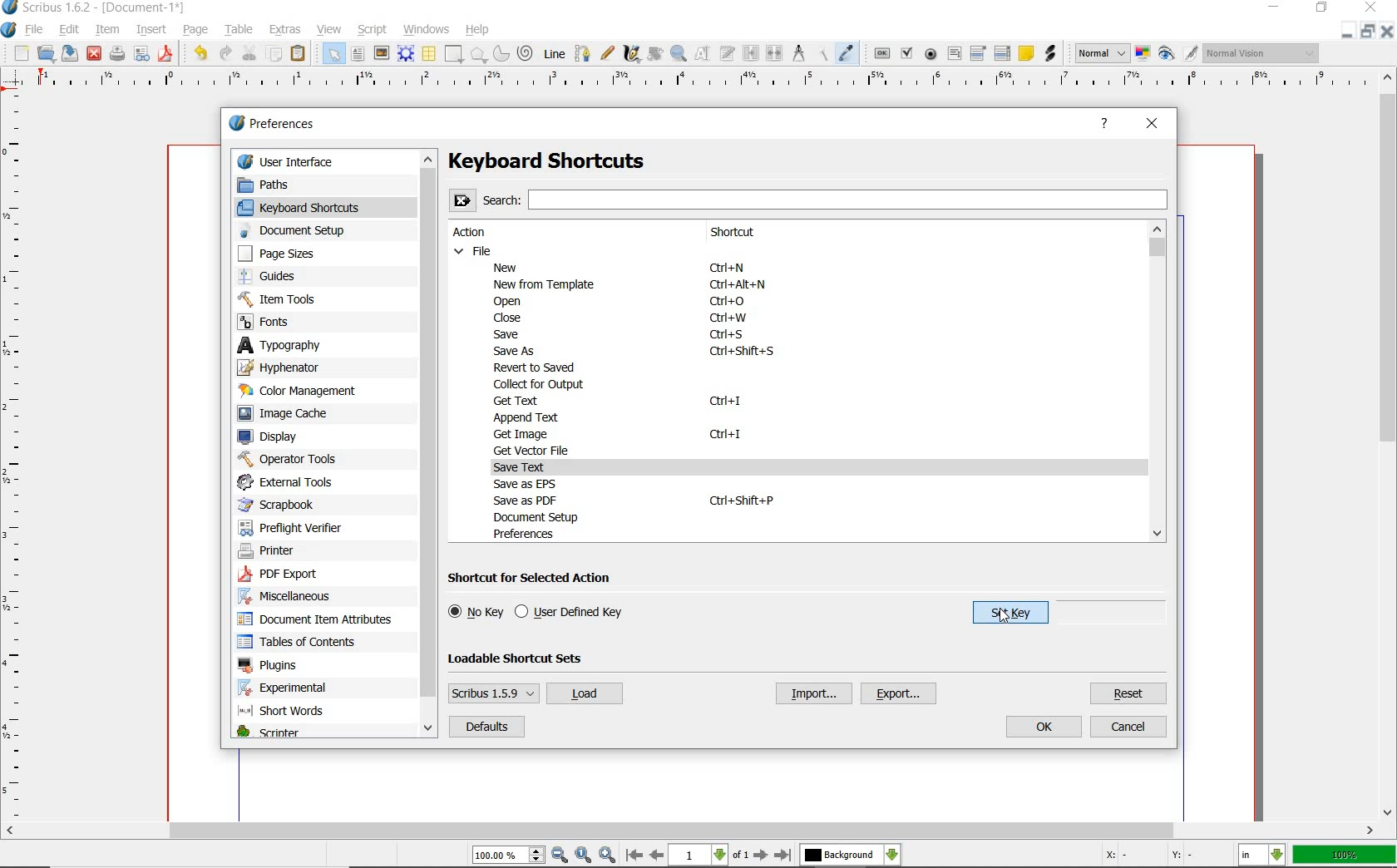 The width and height of the screenshot is (1397, 868). I want to click on item tools, so click(292, 298).